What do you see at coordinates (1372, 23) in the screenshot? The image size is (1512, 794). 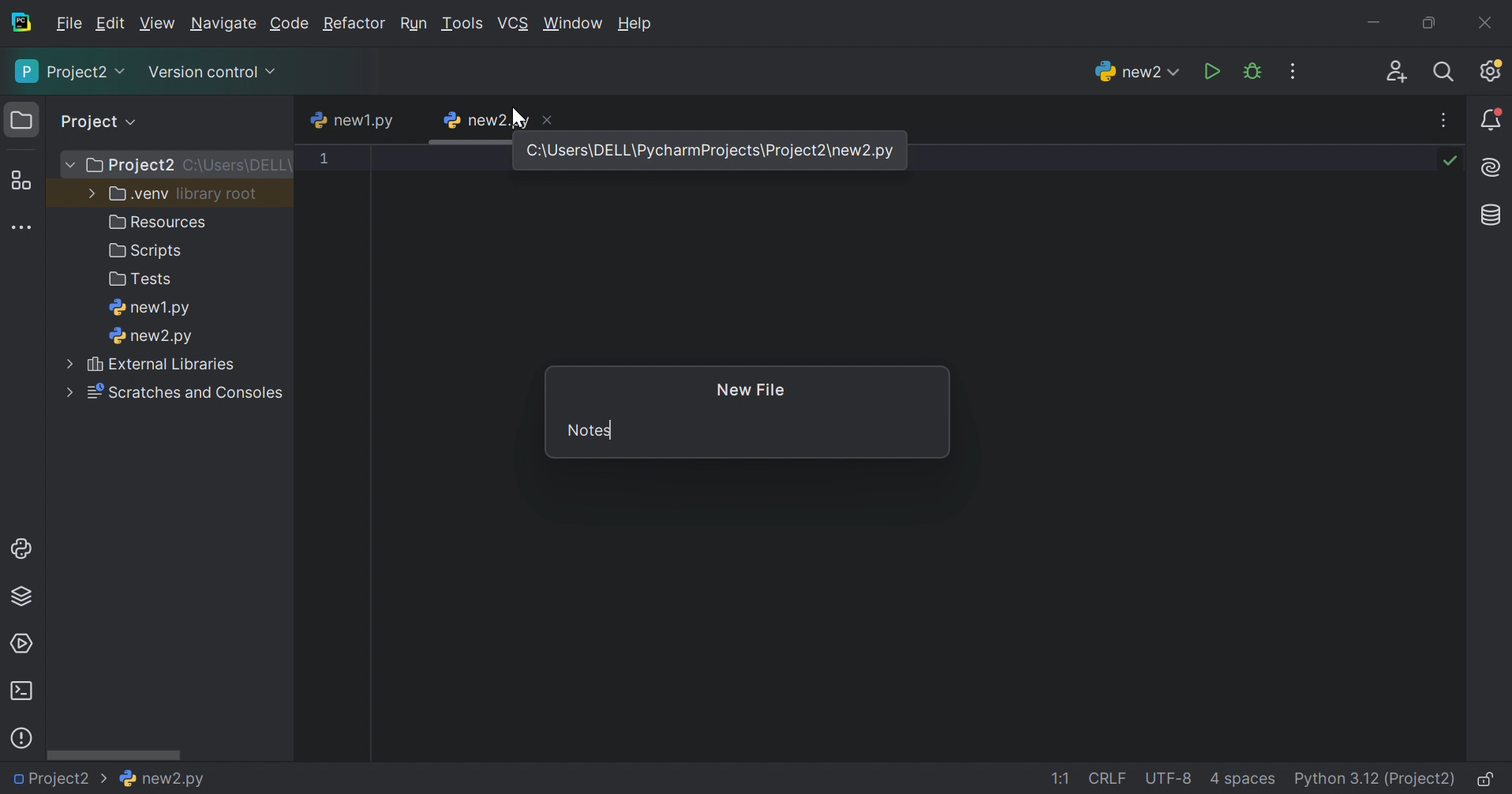 I see `Minimize` at bounding box center [1372, 23].